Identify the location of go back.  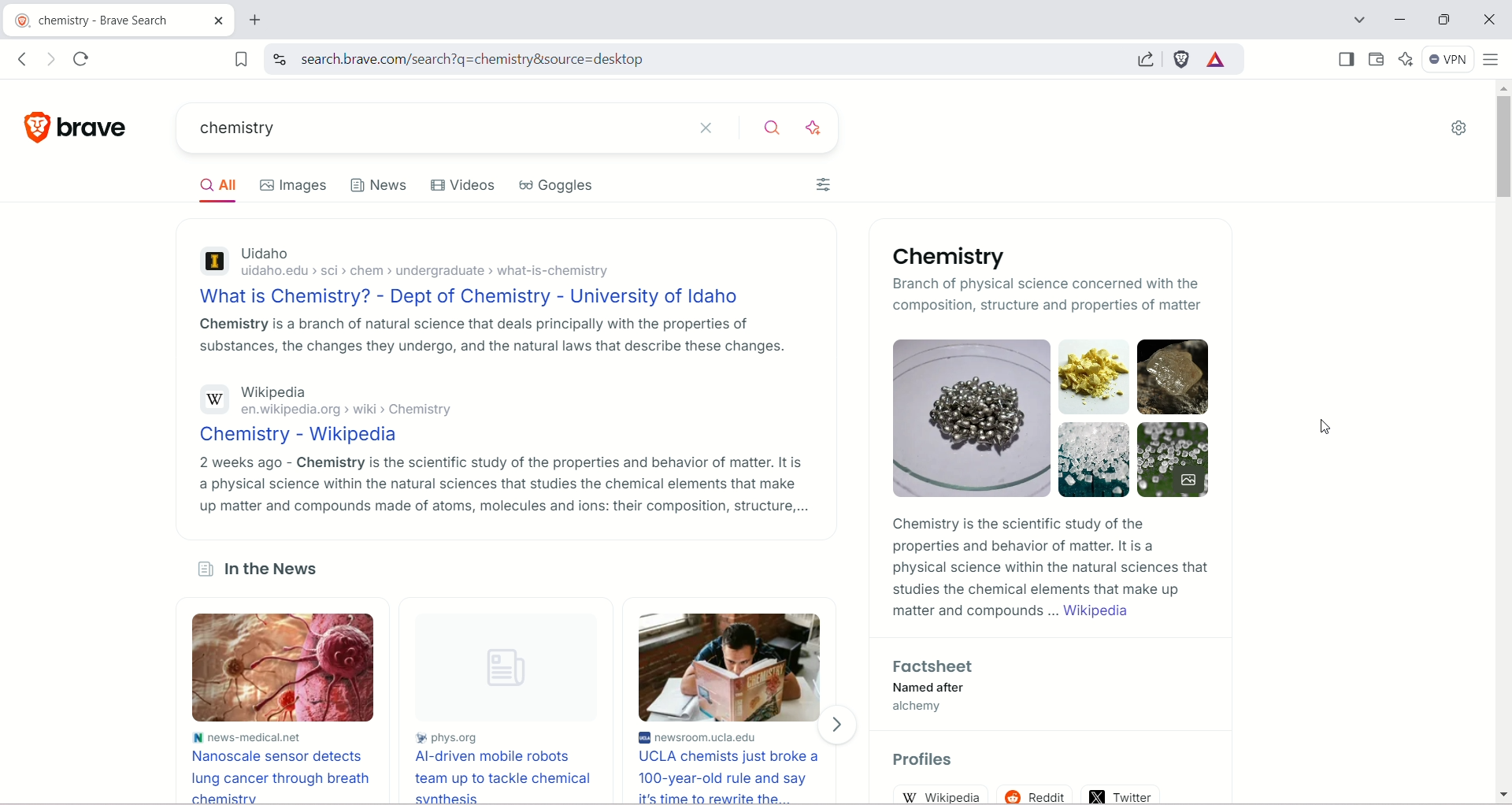
(22, 59).